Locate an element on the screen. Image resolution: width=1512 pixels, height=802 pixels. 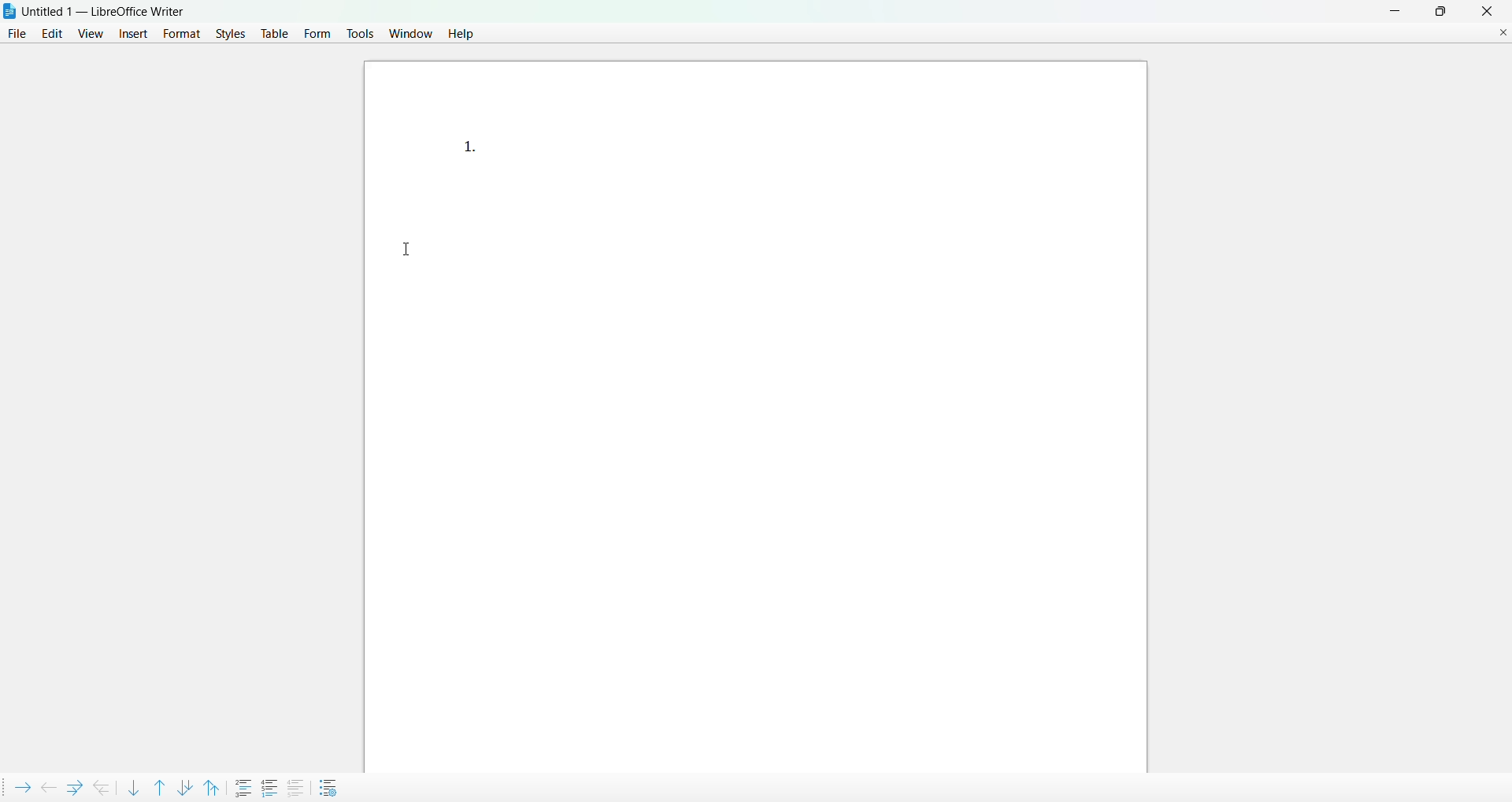
edit is located at coordinates (52, 35).